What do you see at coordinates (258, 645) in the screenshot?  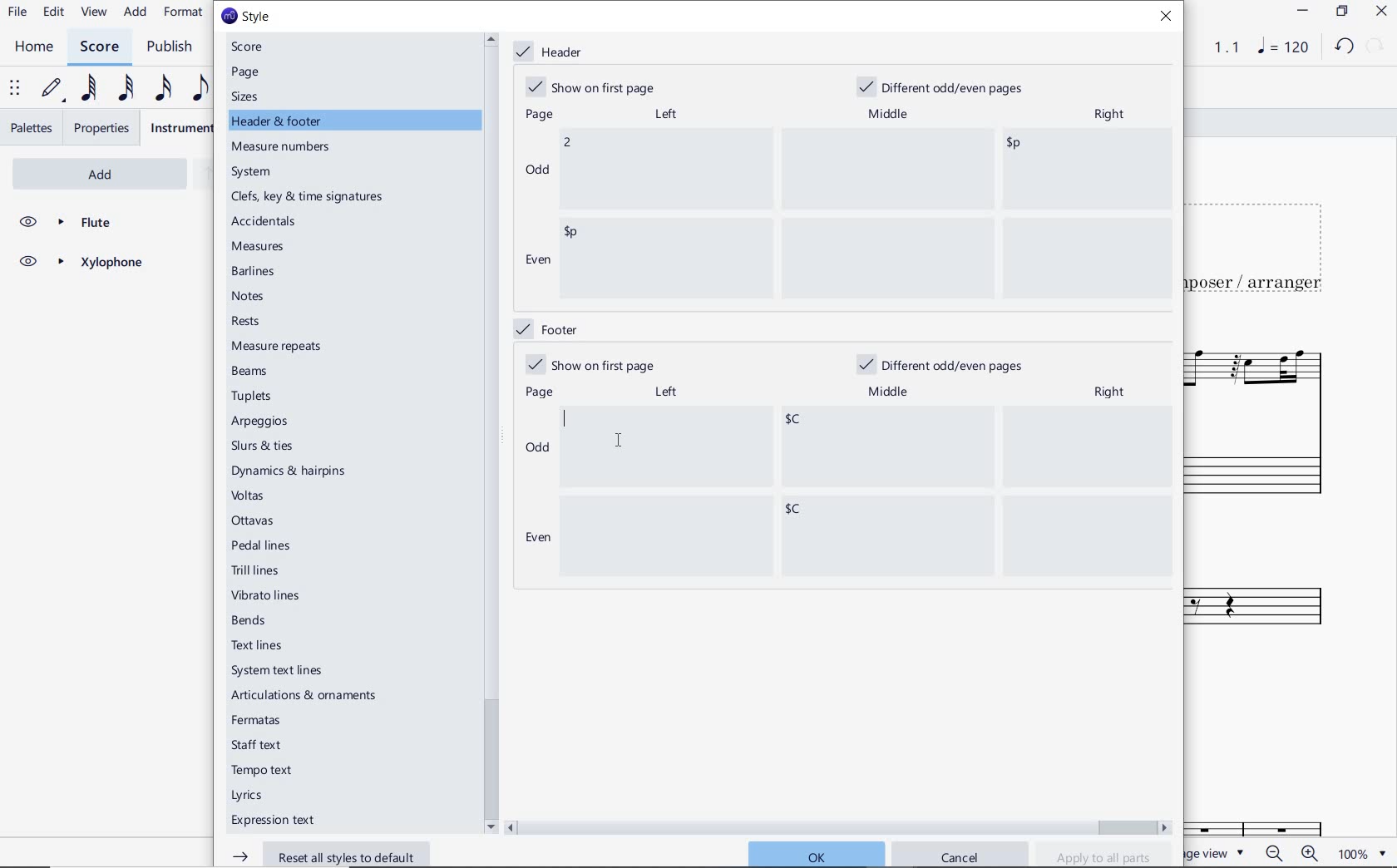 I see `text lines` at bounding box center [258, 645].